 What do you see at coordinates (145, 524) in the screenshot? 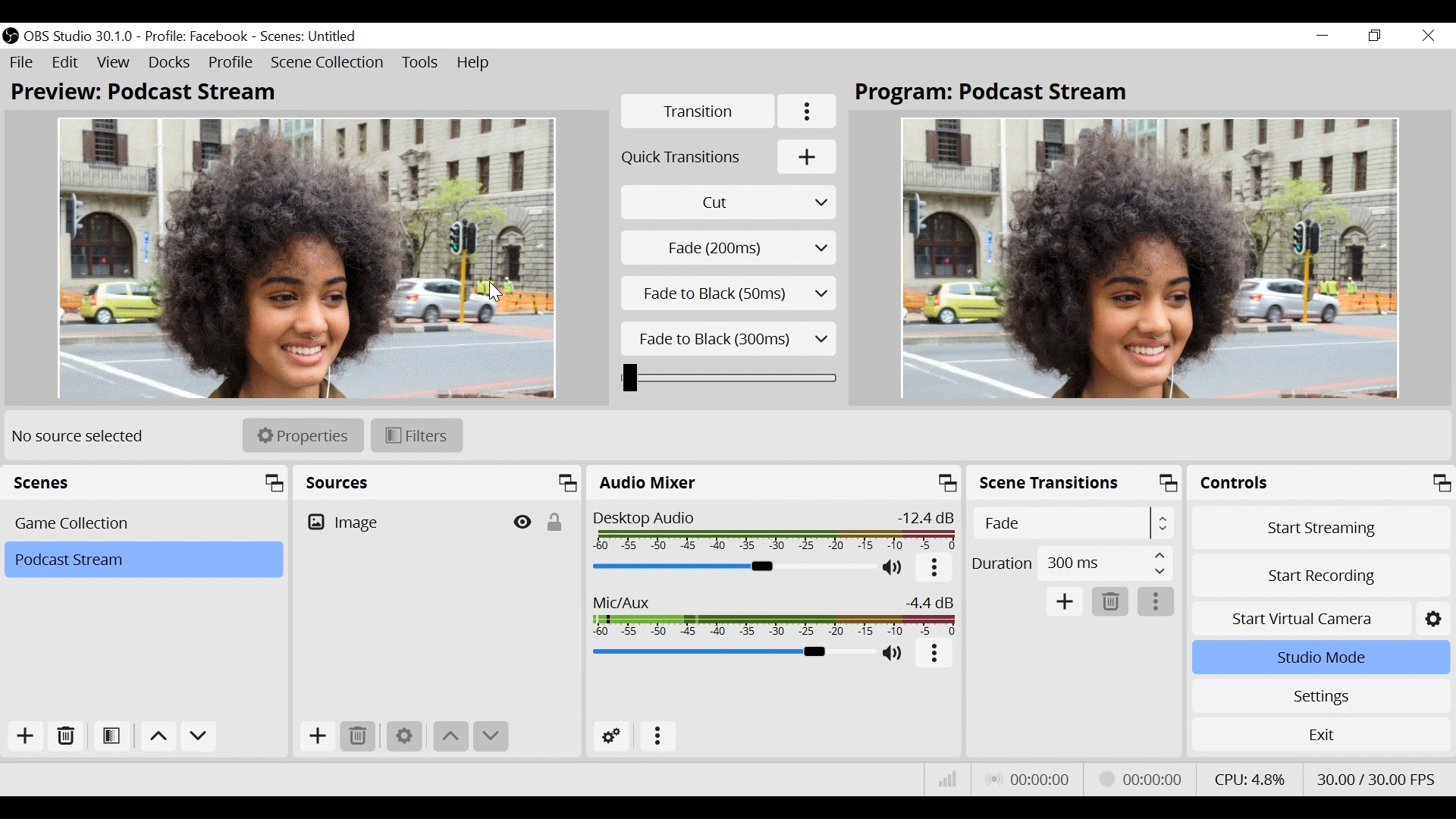
I see `Scenes` at bounding box center [145, 524].